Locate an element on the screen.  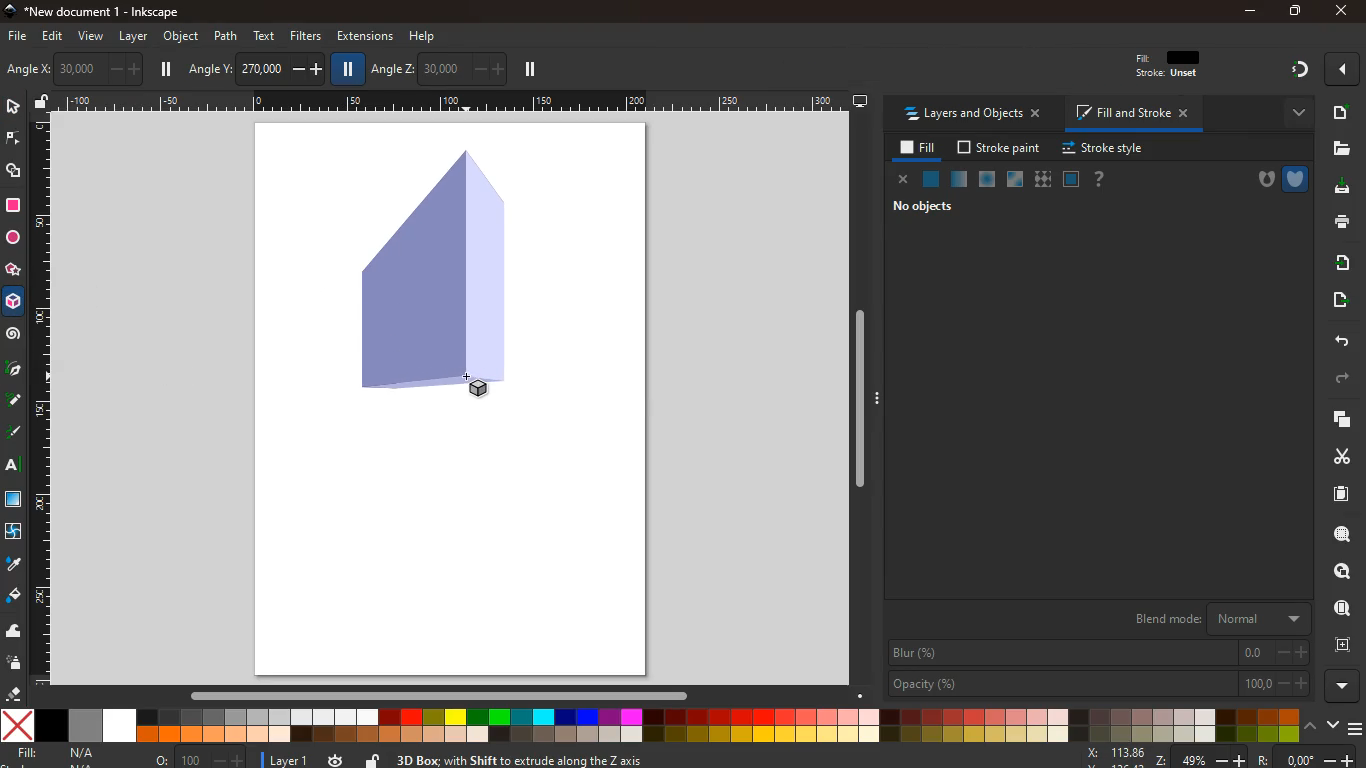
more is located at coordinates (1342, 69).